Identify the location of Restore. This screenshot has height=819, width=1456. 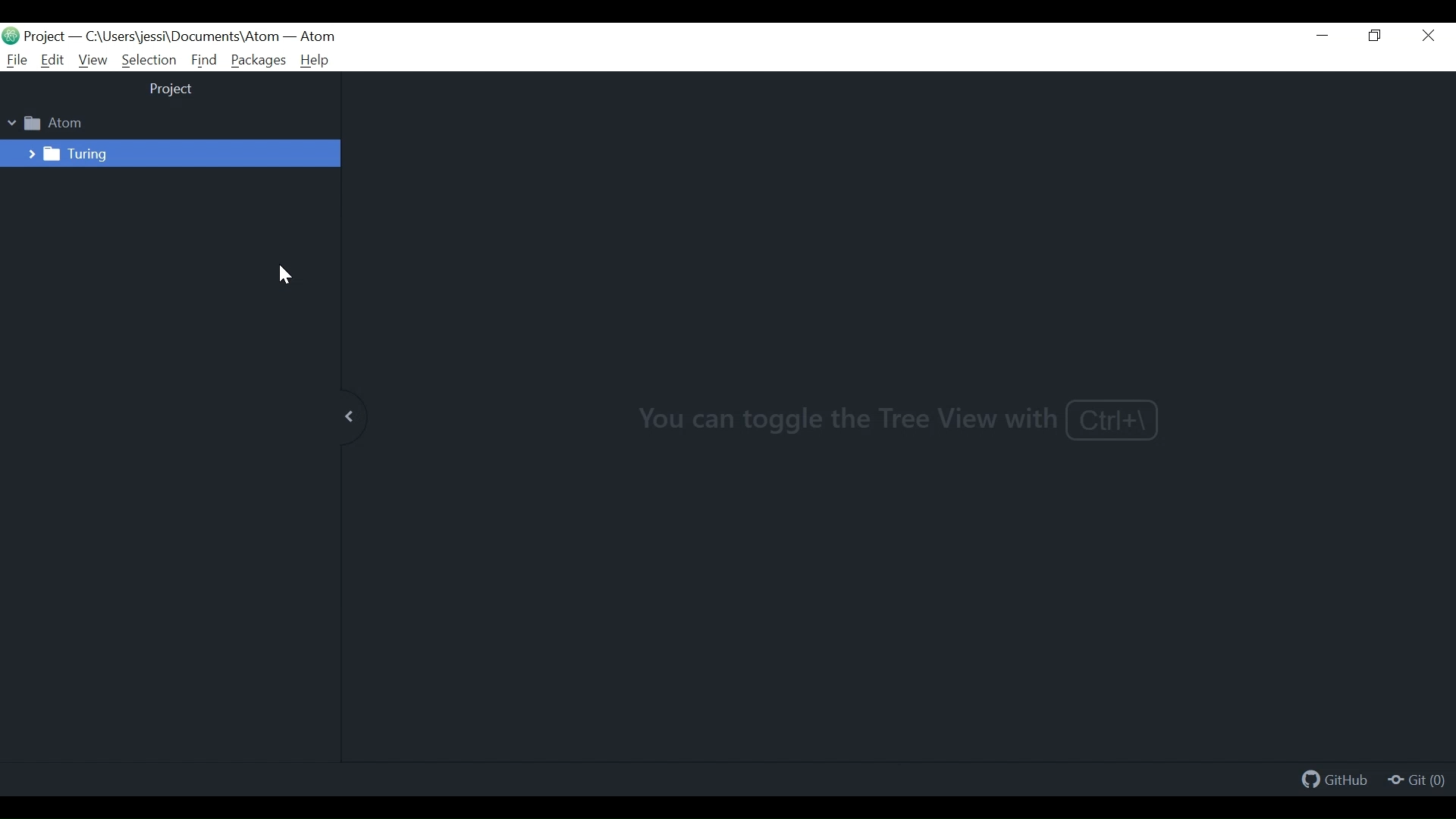
(1377, 36).